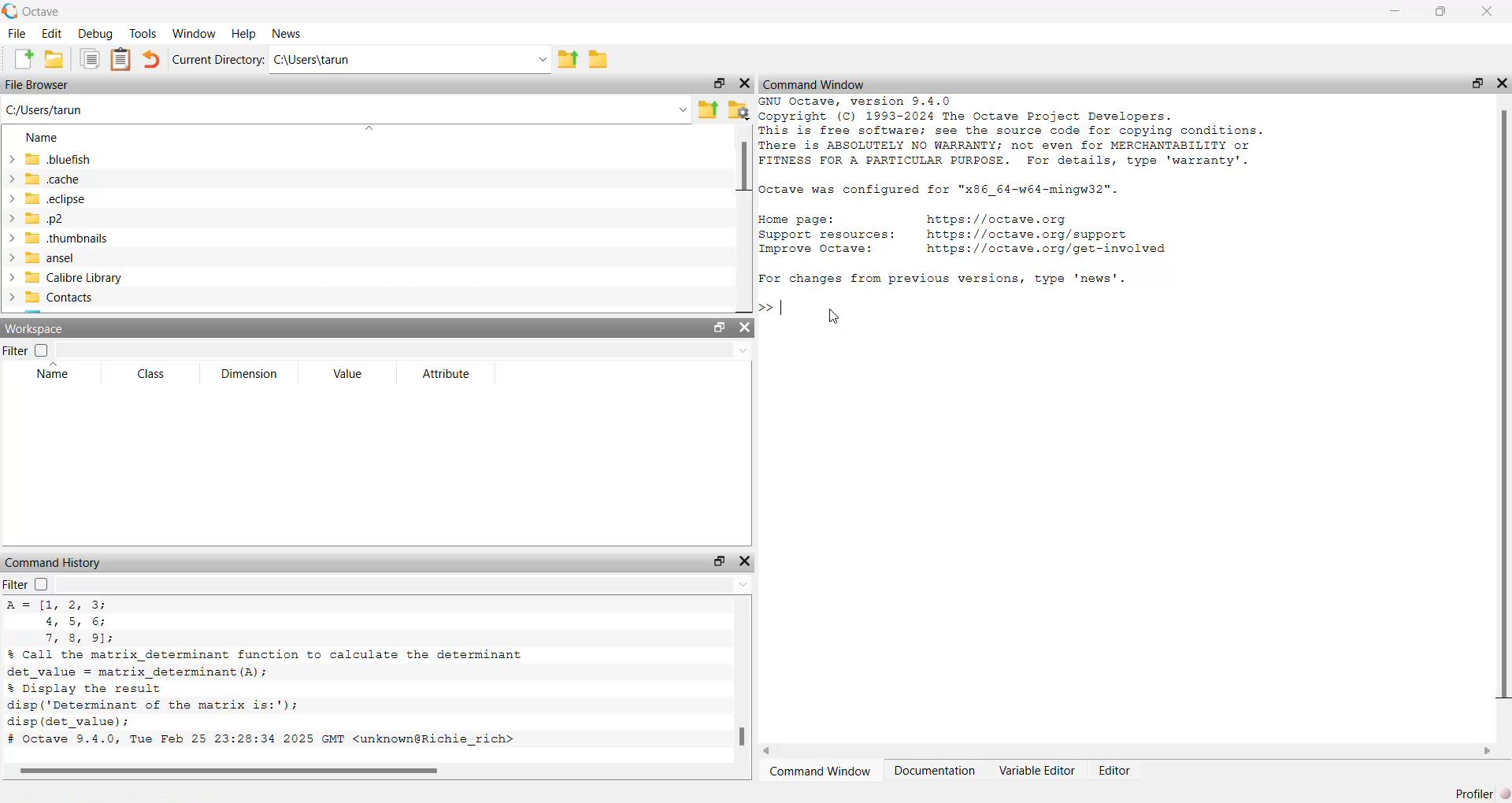 The height and width of the screenshot is (803, 1512). What do you see at coordinates (65, 278) in the screenshot?
I see `calibre library` at bounding box center [65, 278].